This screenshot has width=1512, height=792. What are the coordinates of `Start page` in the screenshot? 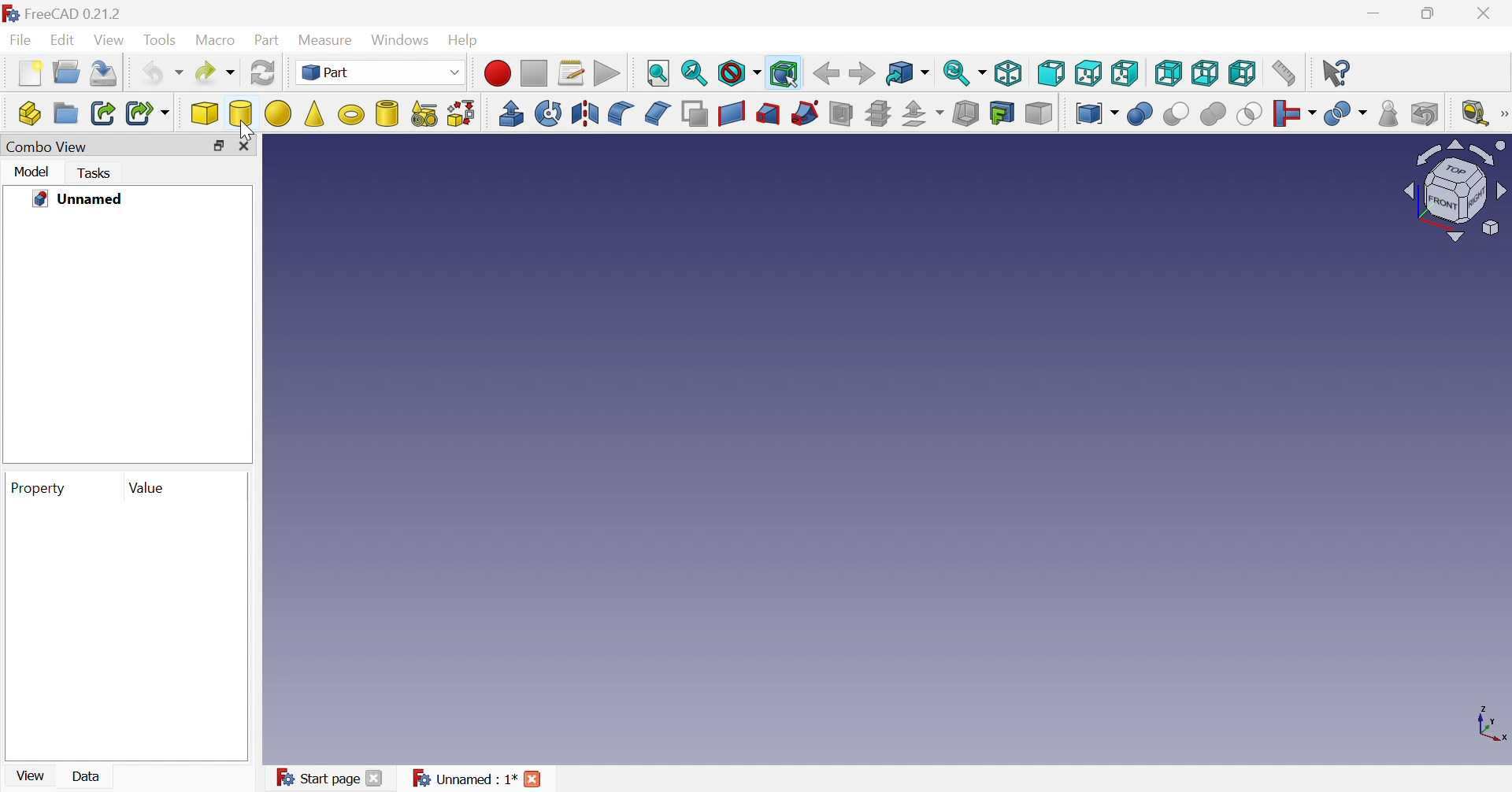 It's located at (333, 779).